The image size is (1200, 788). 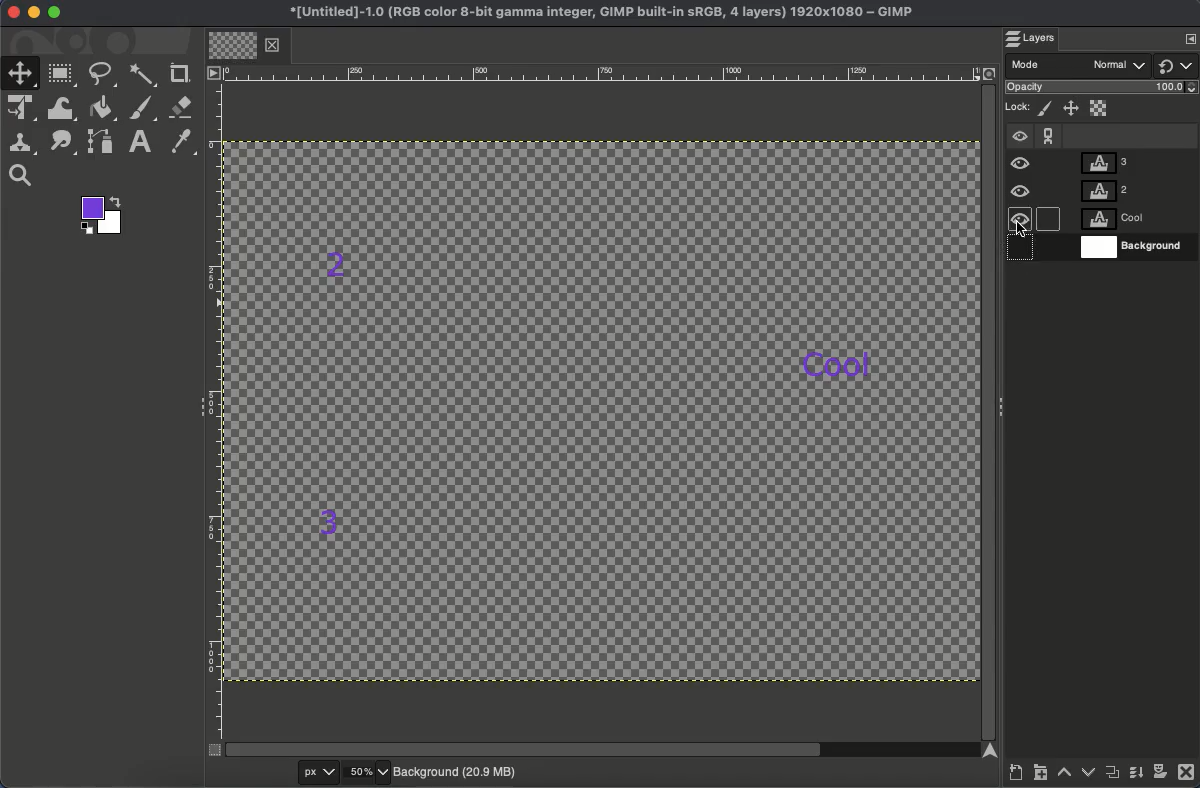 I want to click on Clone, so click(x=25, y=143).